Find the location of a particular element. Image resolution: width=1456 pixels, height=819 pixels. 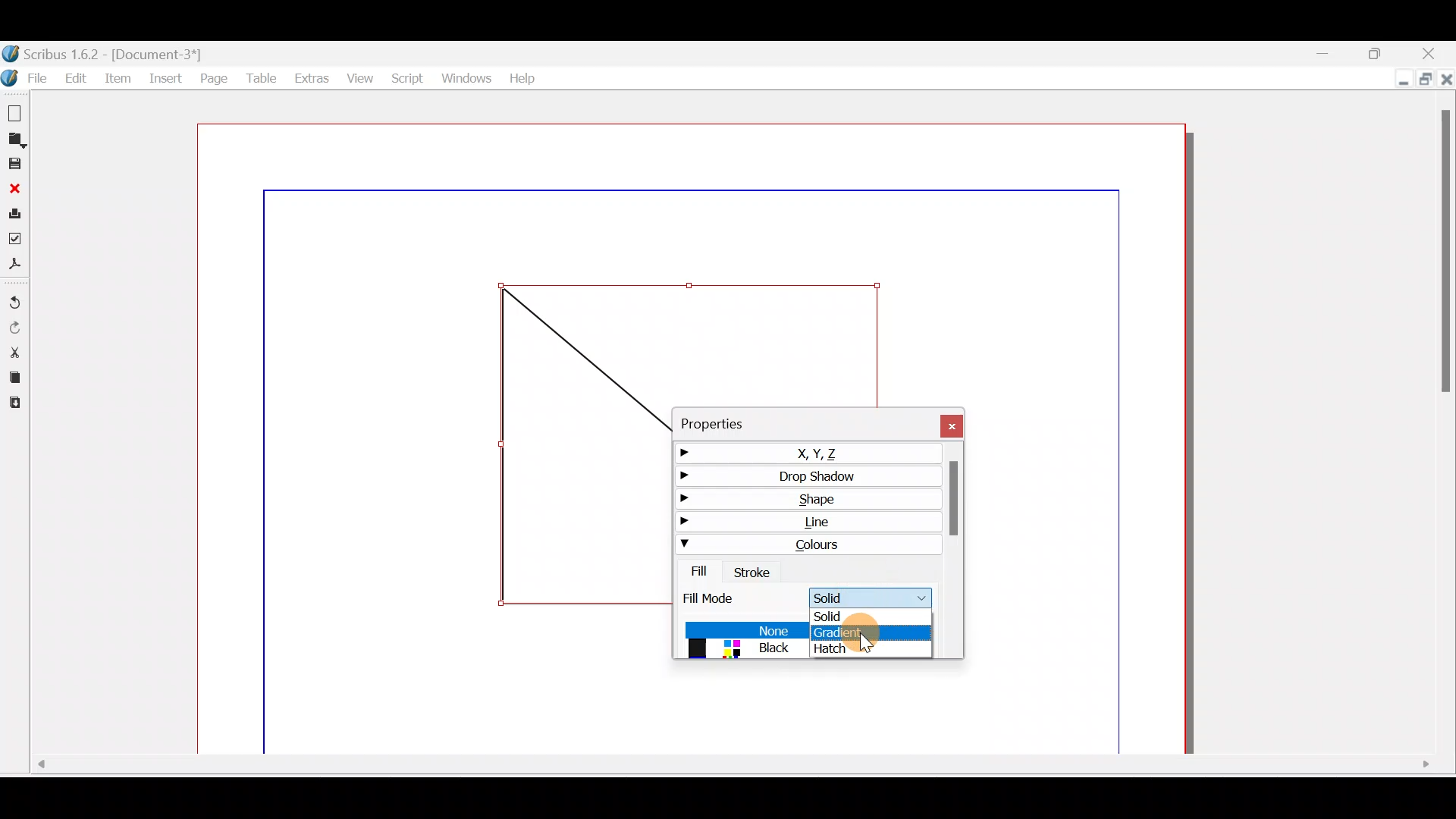

Maximise is located at coordinates (1382, 52).